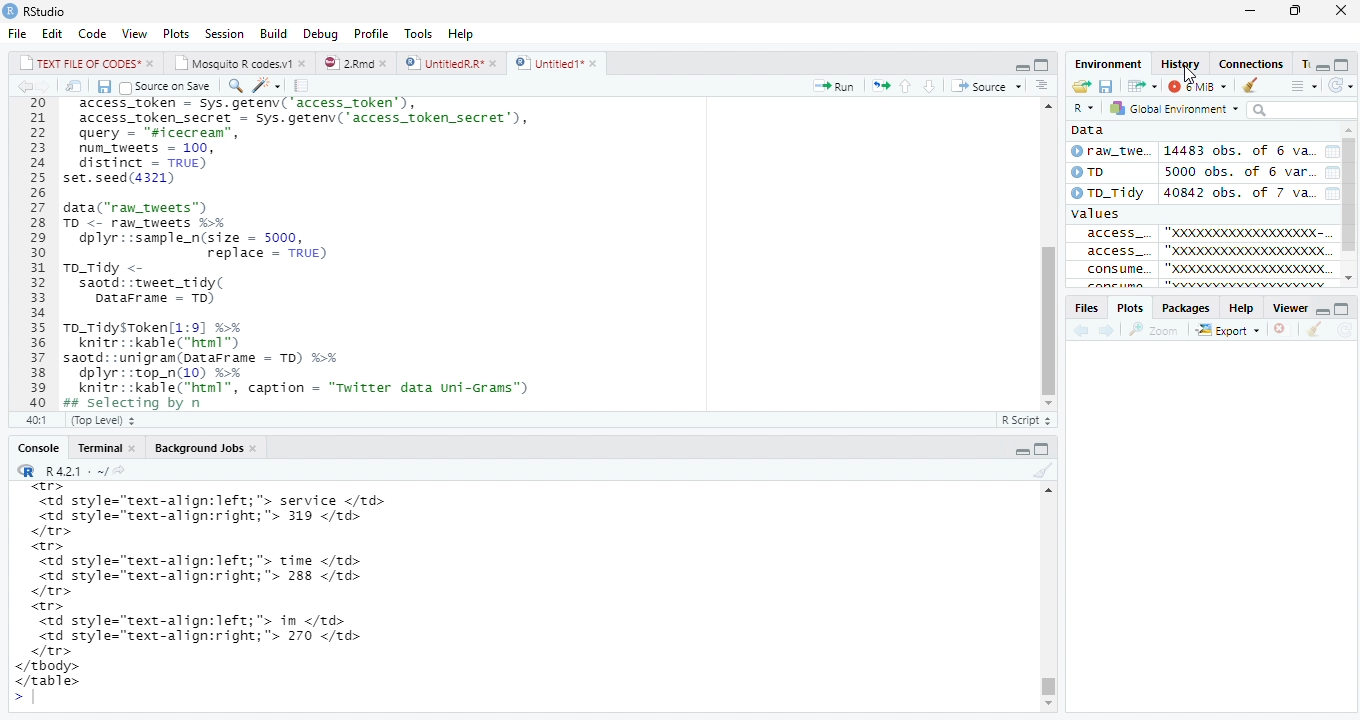 Image resolution: width=1360 pixels, height=720 pixels. What do you see at coordinates (92, 33) in the screenshot?
I see `Code` at bounding box center [92, 33].